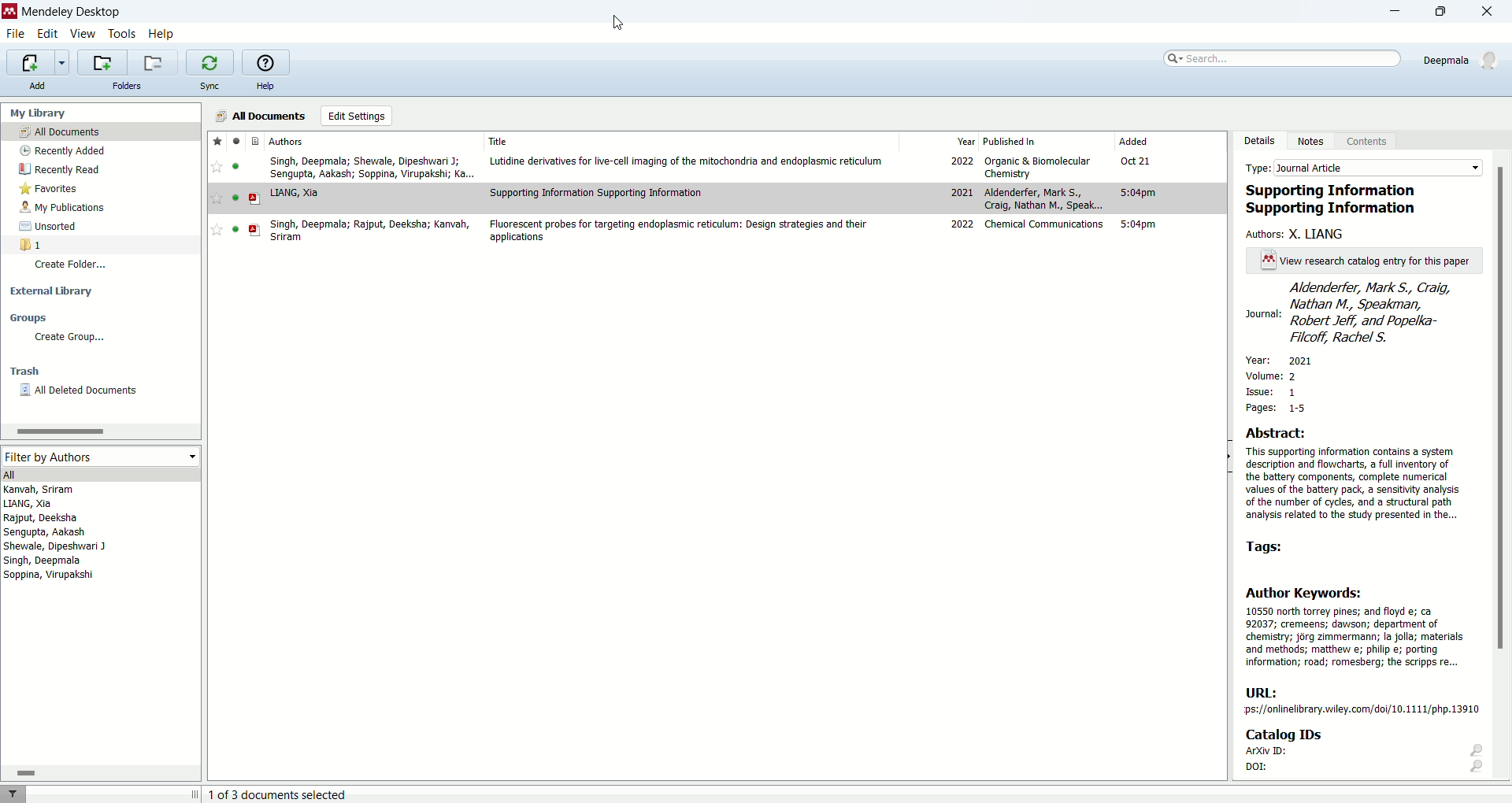 This screenshot has width=1512, height=803. I want to click on journal: Aldenderfer, Mark S.,Craig, Nathan M., Speakman, Robert Jeff, and Popelka-Filcoff, Rachel S., so click(1363, 313).